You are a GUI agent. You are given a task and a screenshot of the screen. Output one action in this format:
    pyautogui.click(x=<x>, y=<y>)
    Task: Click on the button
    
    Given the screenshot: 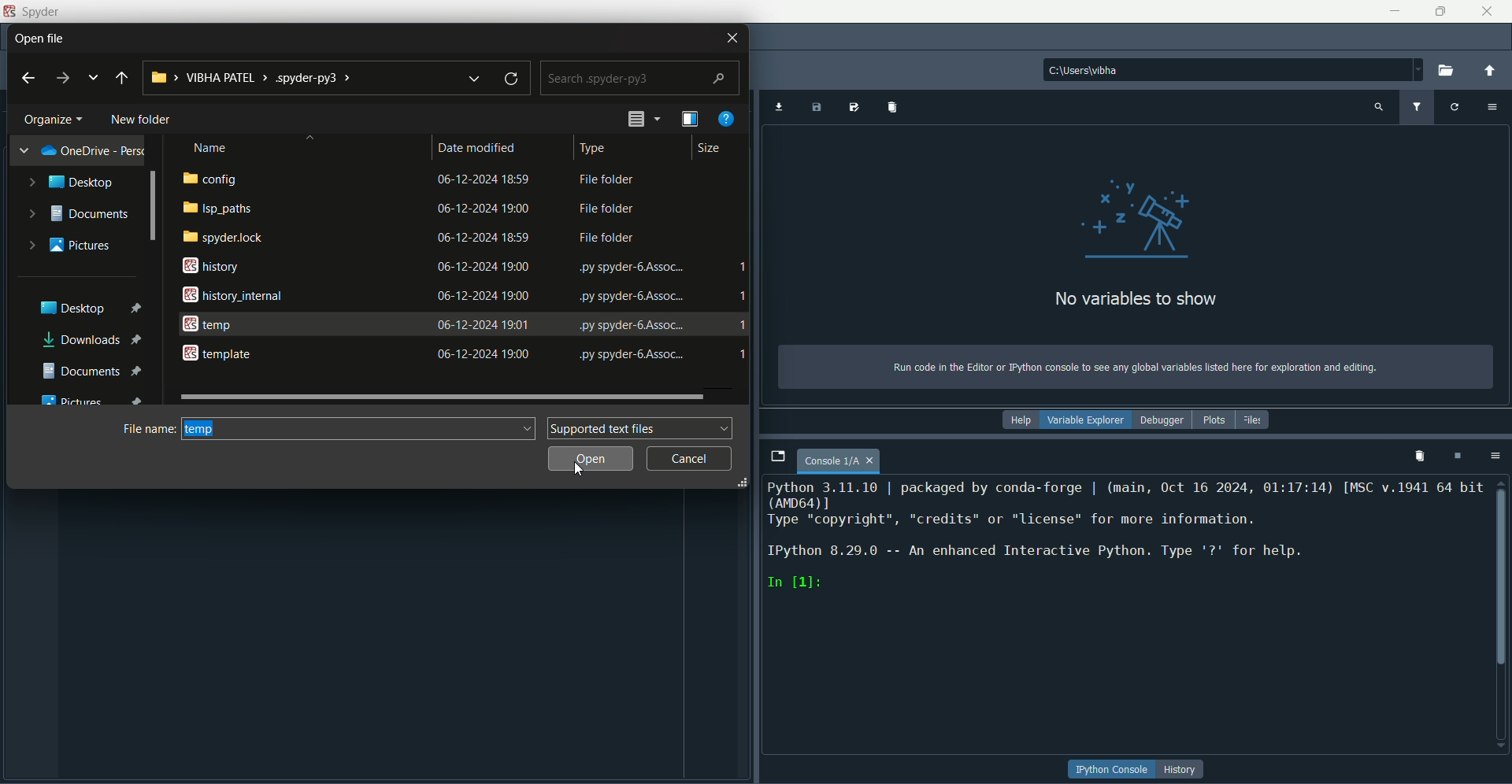 What is the action you would take?
    pyautogui.click(x=1113, y=768)
    